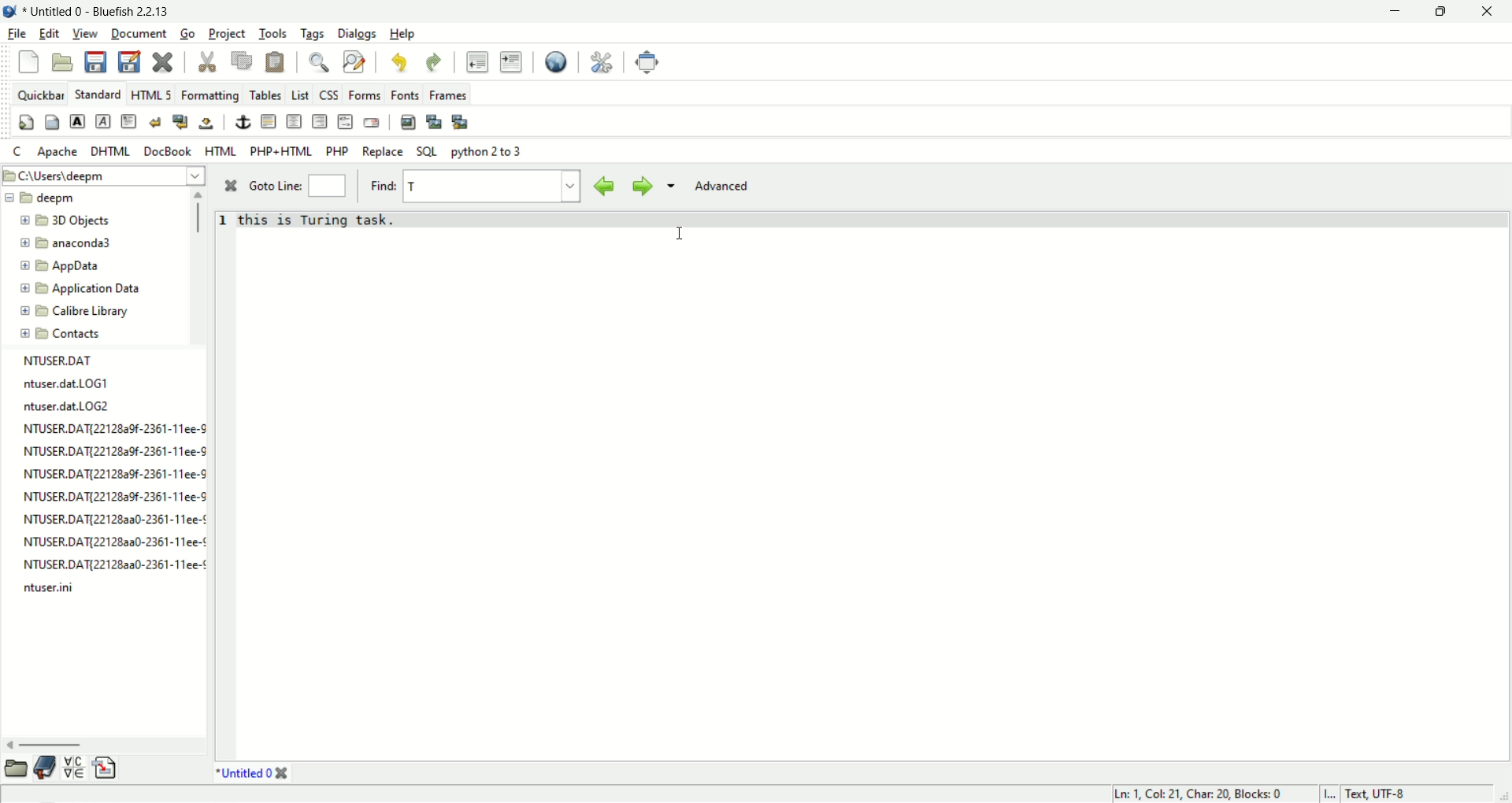 This screenshot has height=803, width=1512. I want to click on close, so click(1494, 12).